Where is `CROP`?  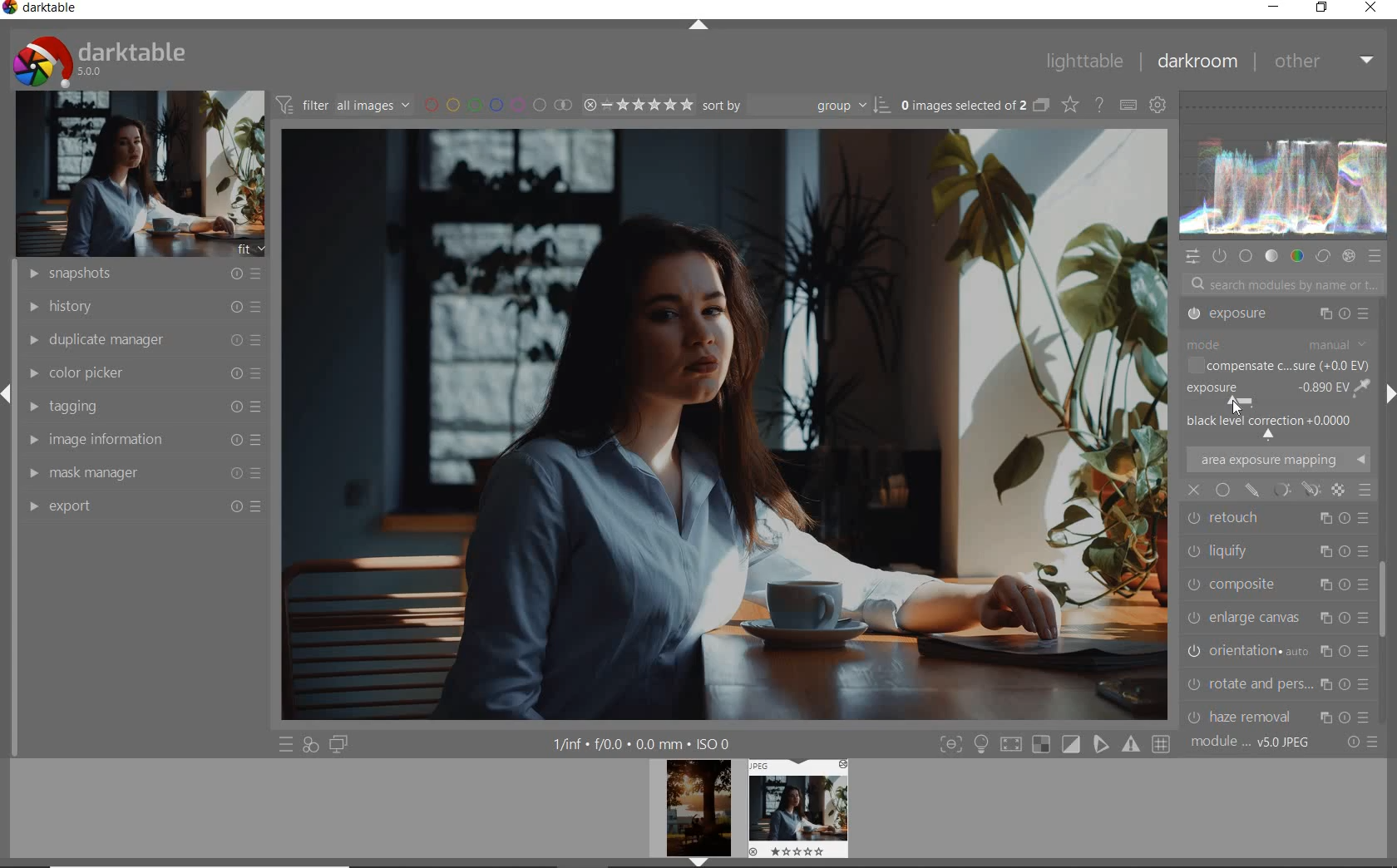 CROP is located at coordinates (1277, 317).